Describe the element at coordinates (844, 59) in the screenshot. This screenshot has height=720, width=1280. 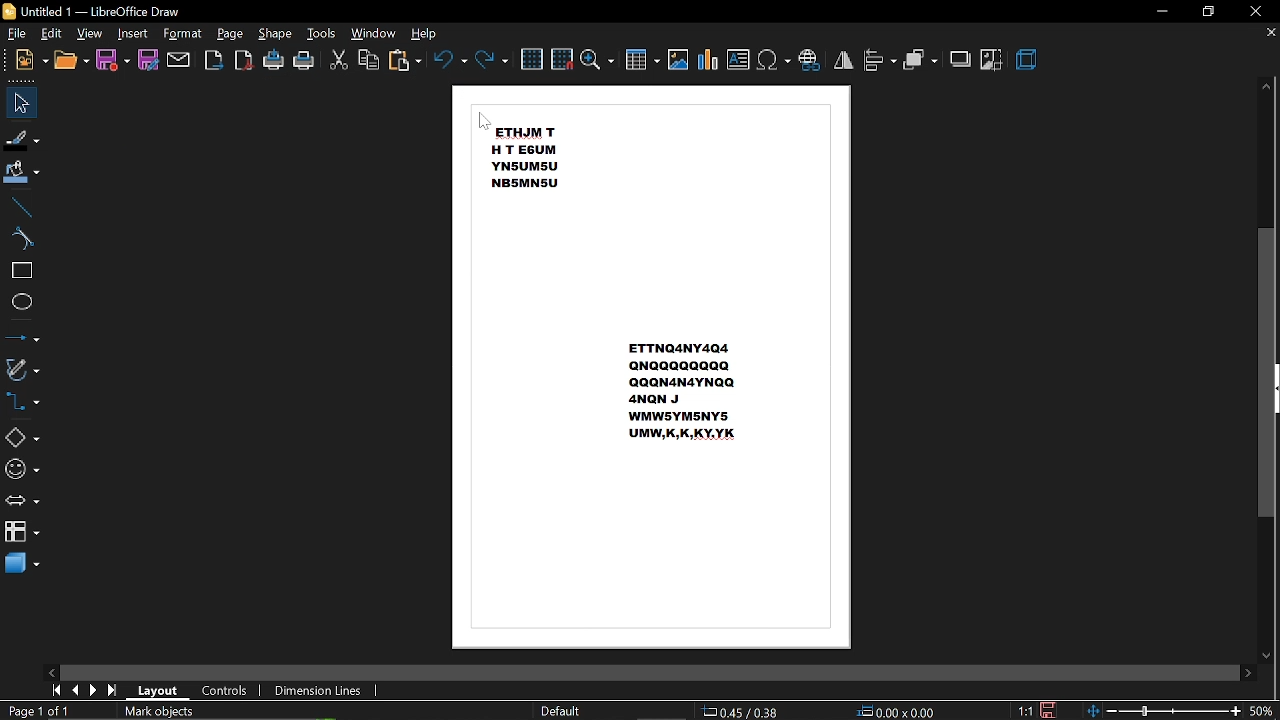
I see `flip` at that location.